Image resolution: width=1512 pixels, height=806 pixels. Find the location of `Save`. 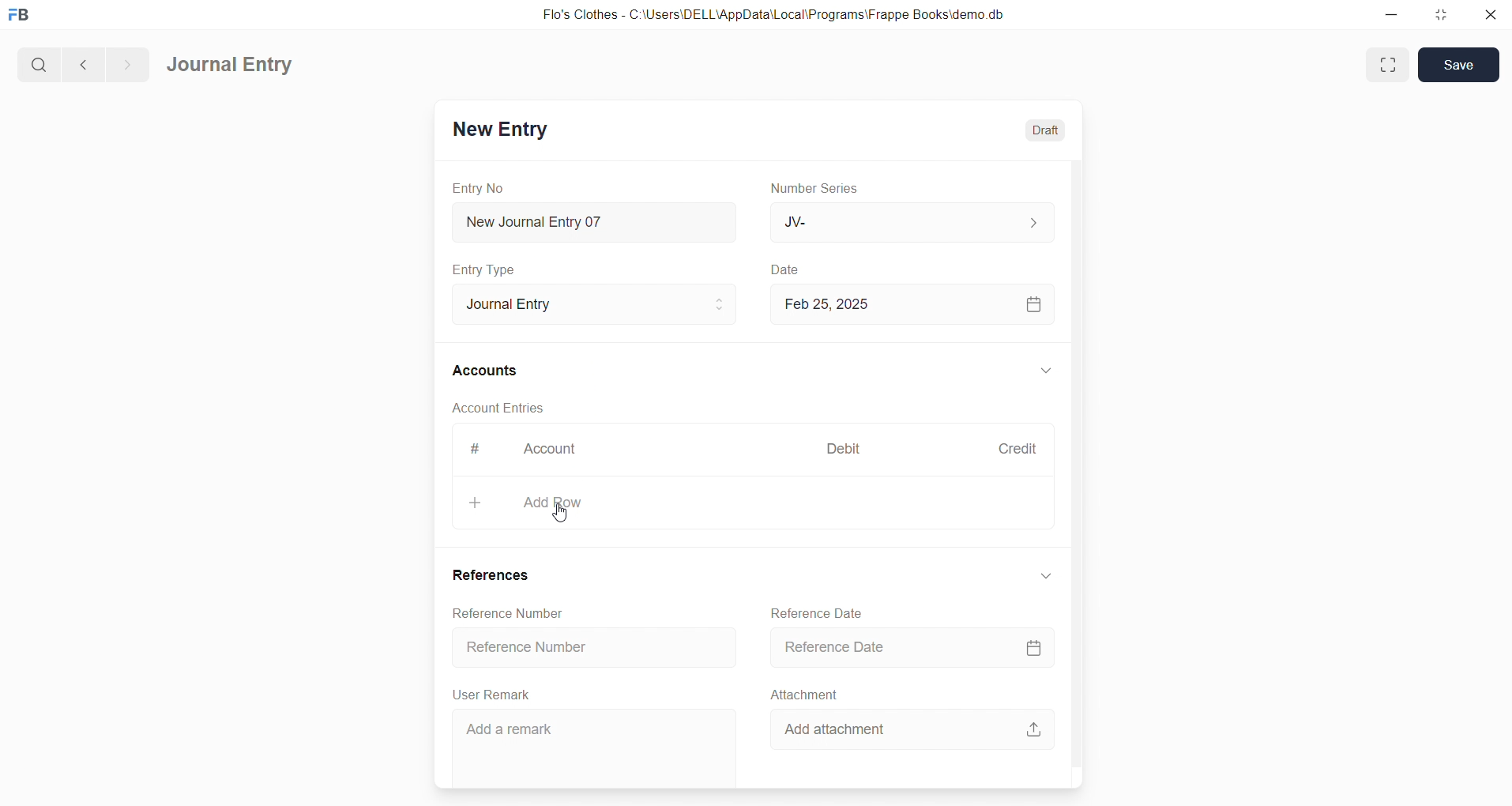

Save is located at coordinates (1459, 65).